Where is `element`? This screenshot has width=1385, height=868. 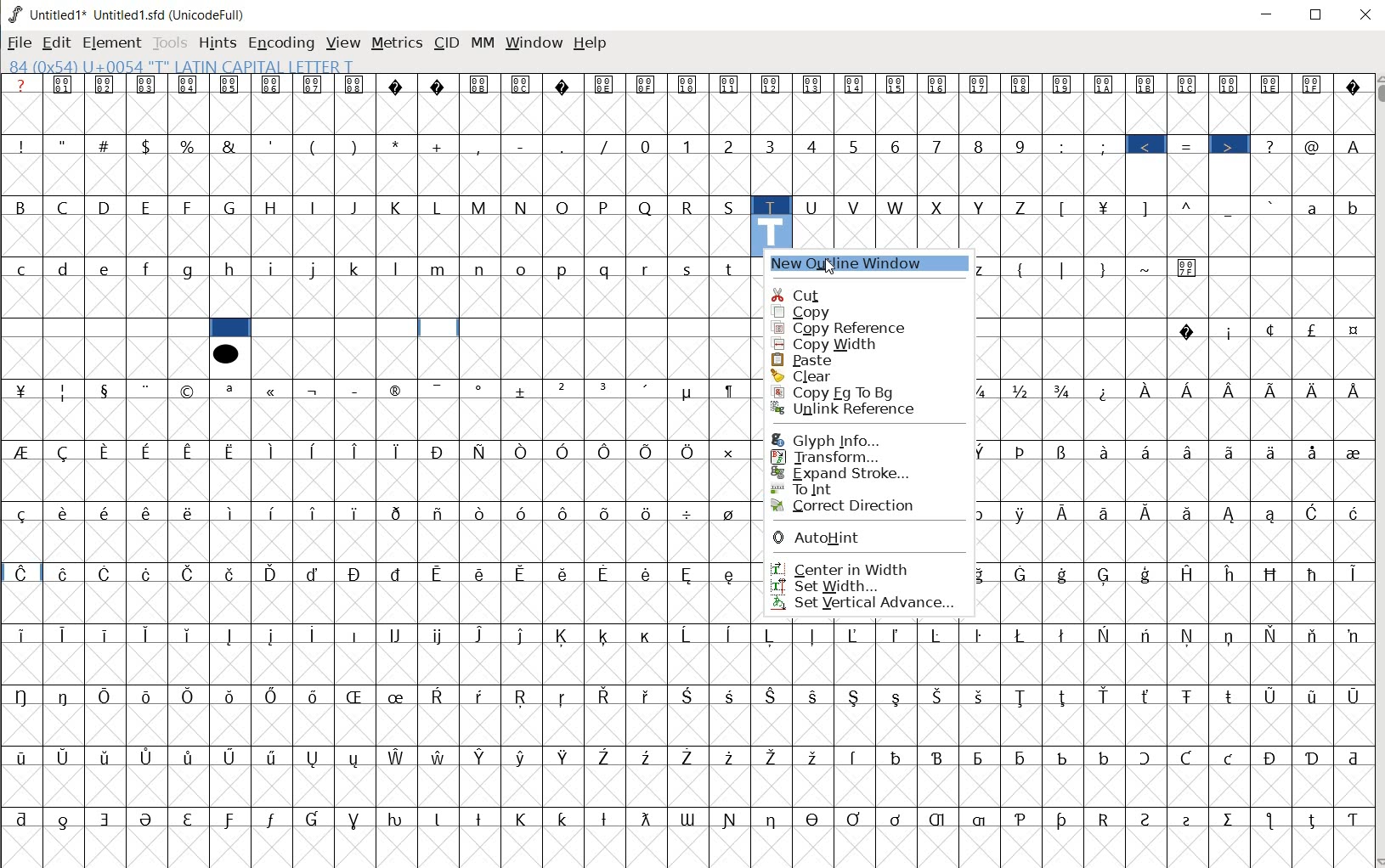
element is located at coordinates (111, 42).